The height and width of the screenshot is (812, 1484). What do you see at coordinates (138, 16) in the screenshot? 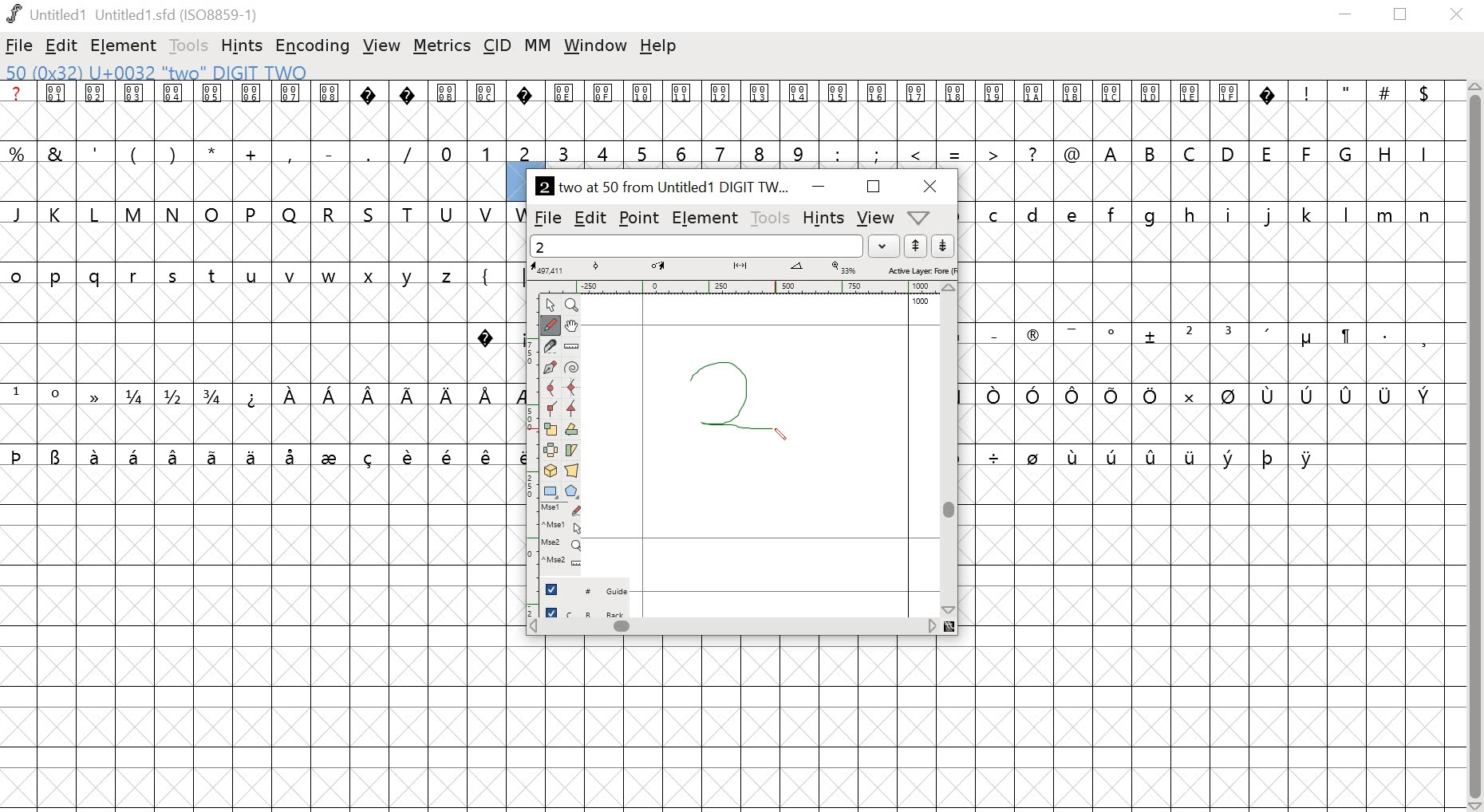
I see `Untitled1 Untitled 1.sfd (IS08859-1)` at bounding box center [138, 16].